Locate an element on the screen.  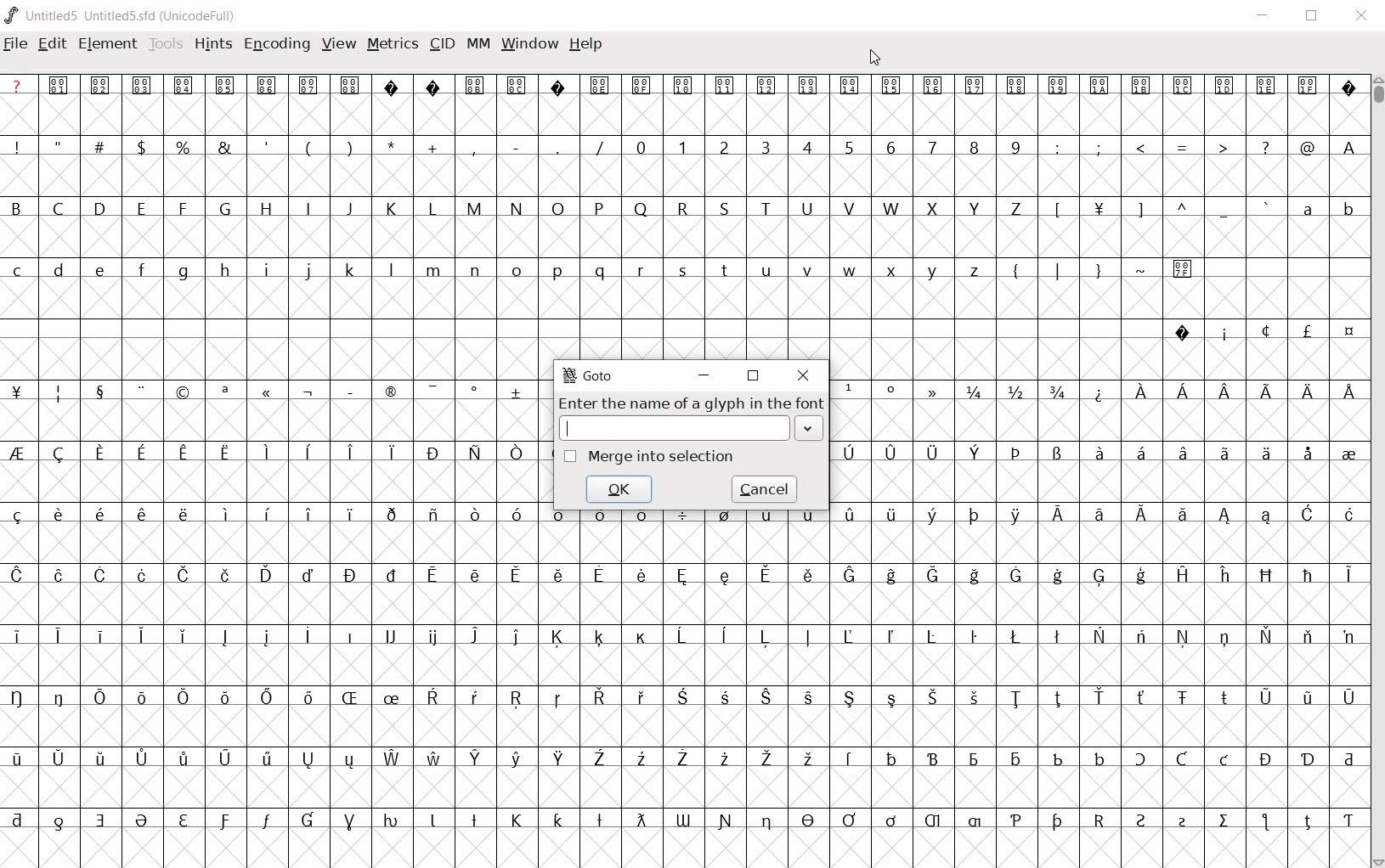
search box is located at coordinates (675, 427).